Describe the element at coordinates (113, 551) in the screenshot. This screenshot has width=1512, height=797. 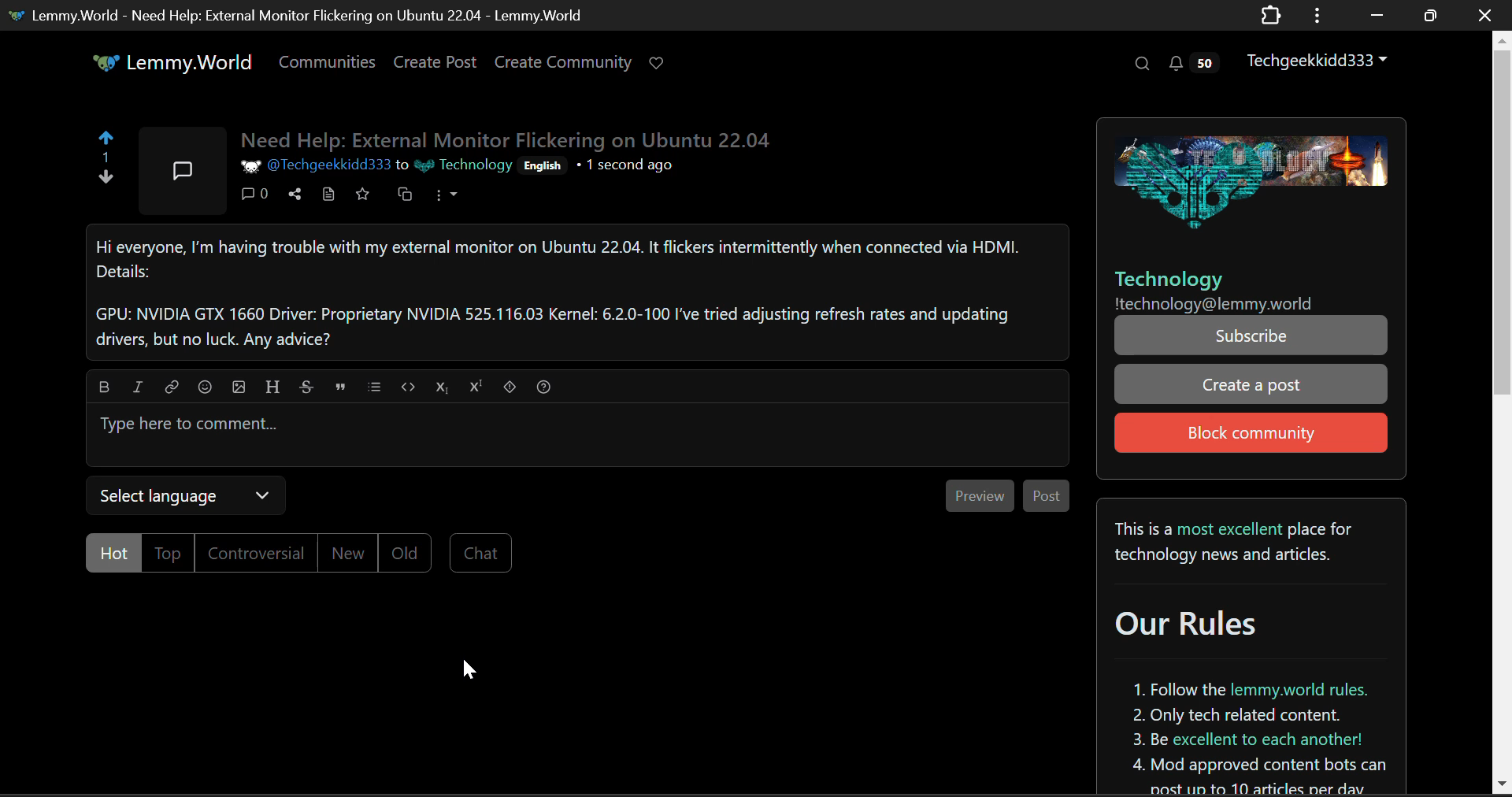
I see `Hot Comment Filter` at that location.